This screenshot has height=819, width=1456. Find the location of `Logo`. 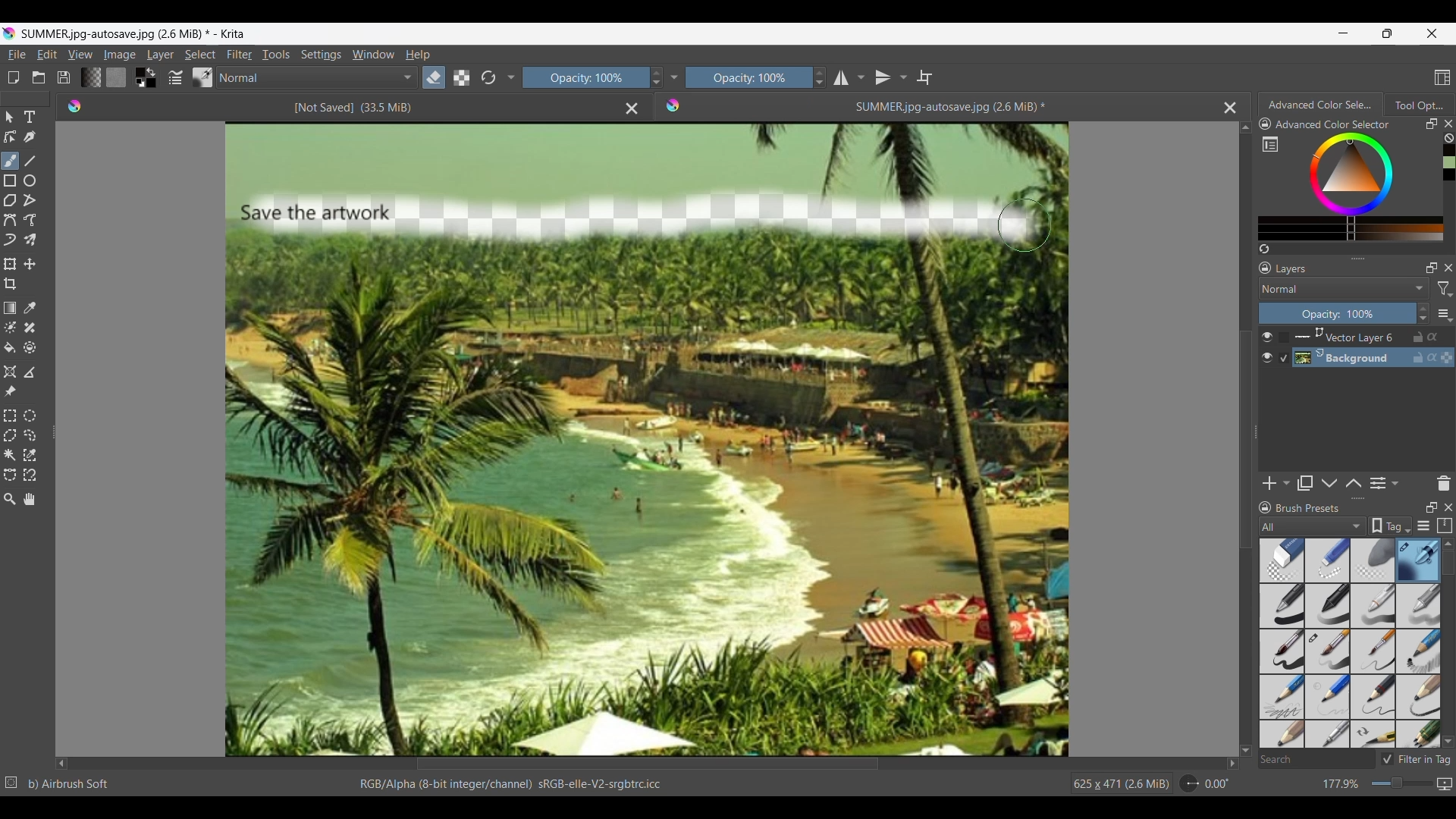

Logo is located at coordinates (77, 106).